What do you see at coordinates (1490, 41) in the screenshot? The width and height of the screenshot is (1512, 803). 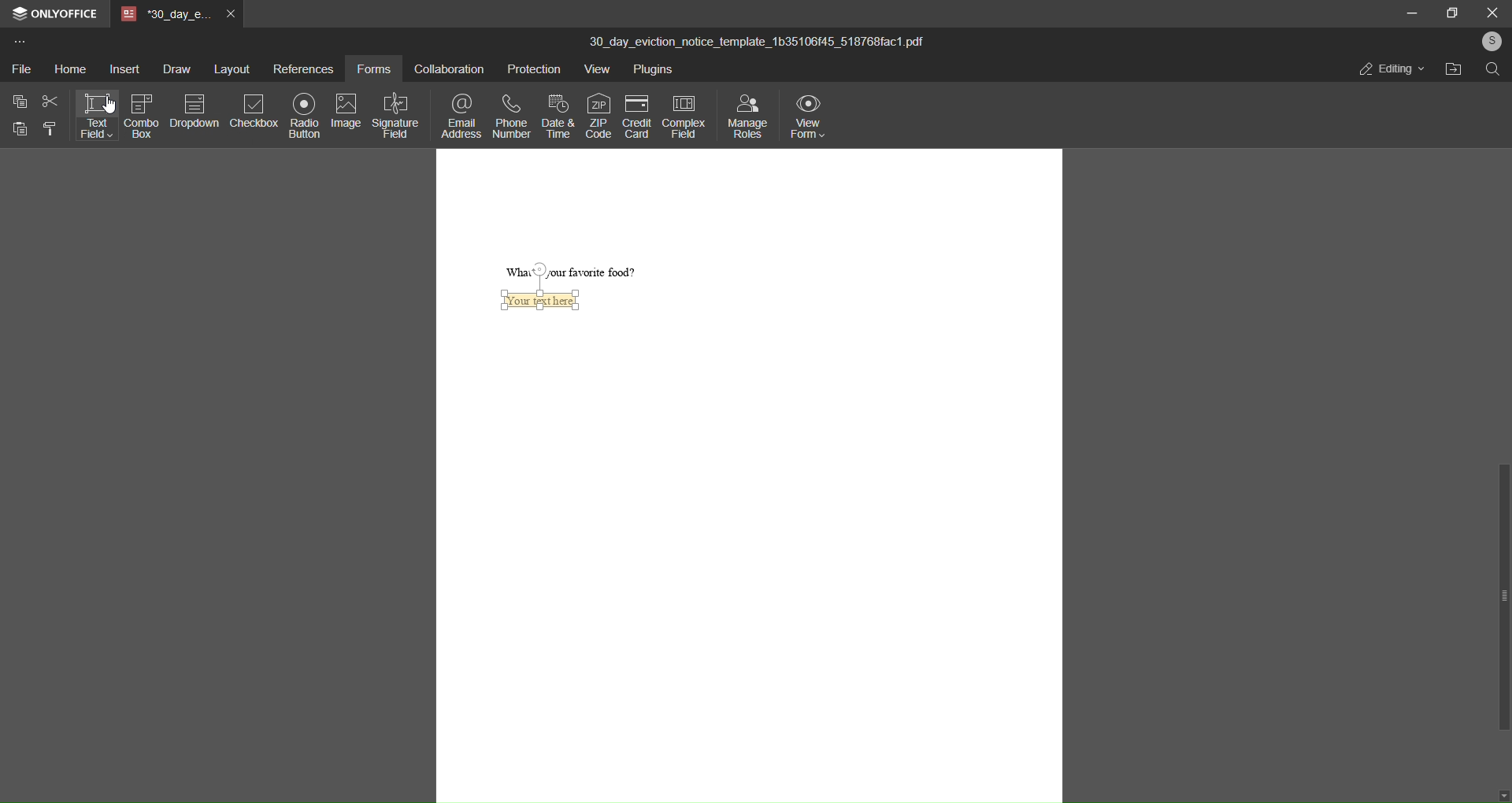 I see `user` at bounding box center [1490, 41].